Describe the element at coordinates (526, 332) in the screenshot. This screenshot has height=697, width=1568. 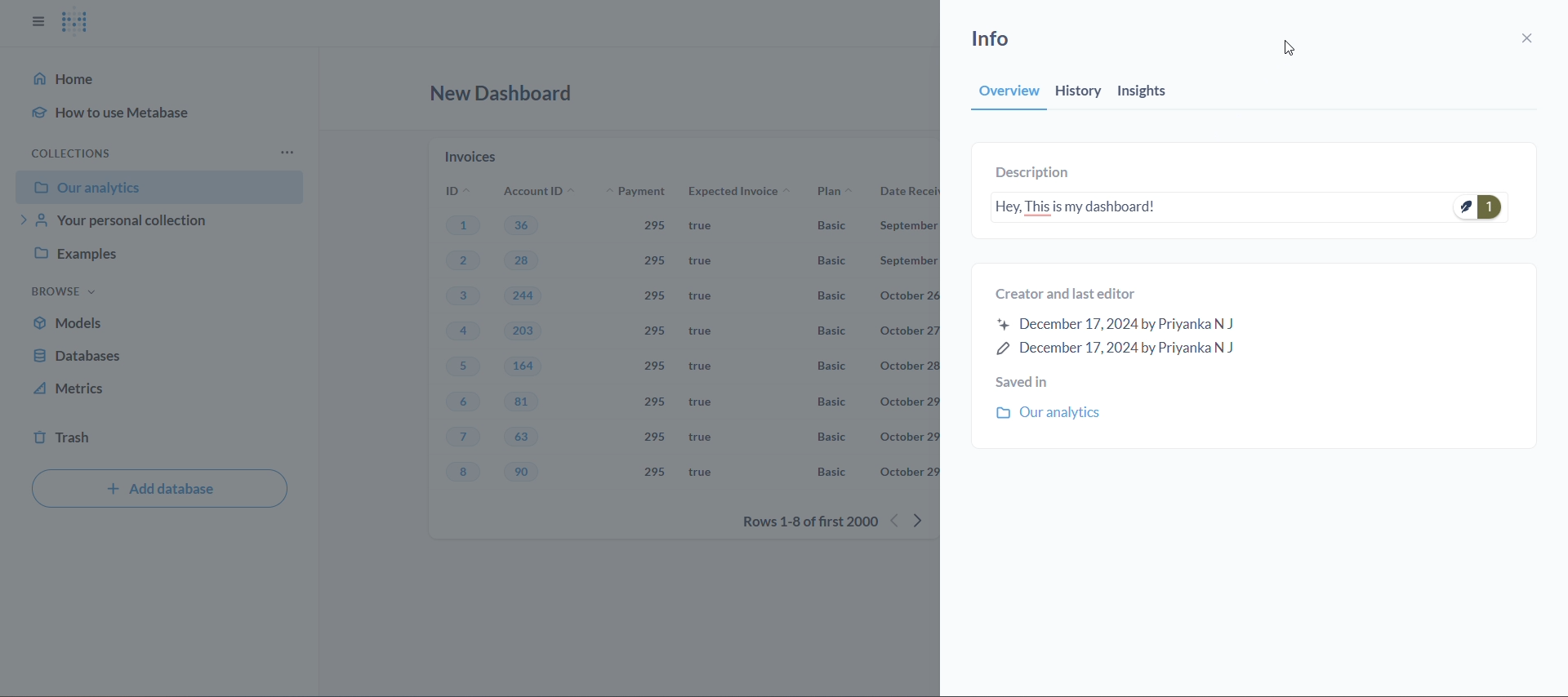
I see `203` at that location.